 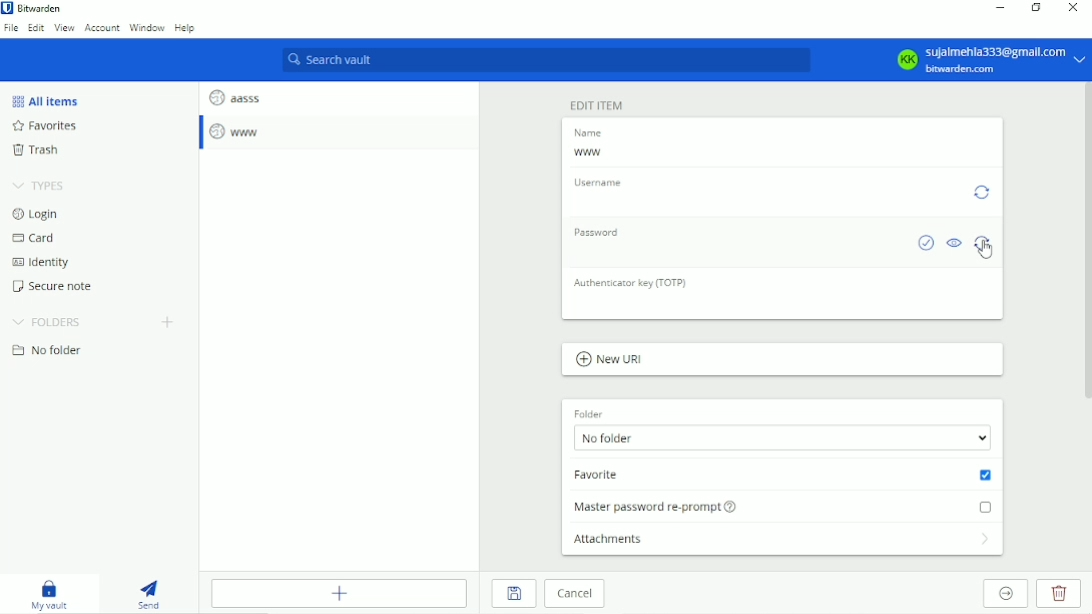 I want to click on Folders, so click(x=46, y=322).